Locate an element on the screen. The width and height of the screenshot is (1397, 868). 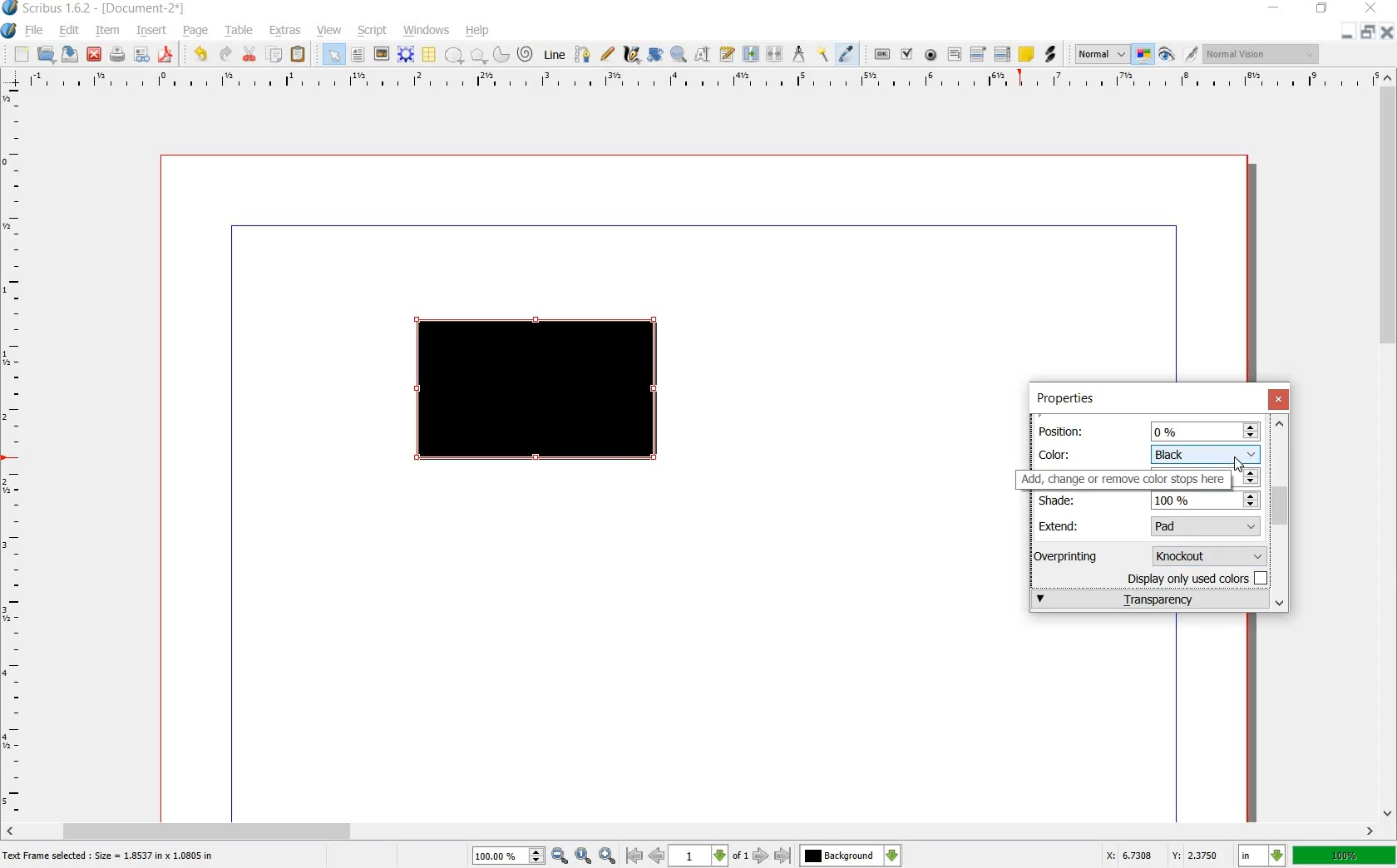
extras is located at coordinates (285, 31).